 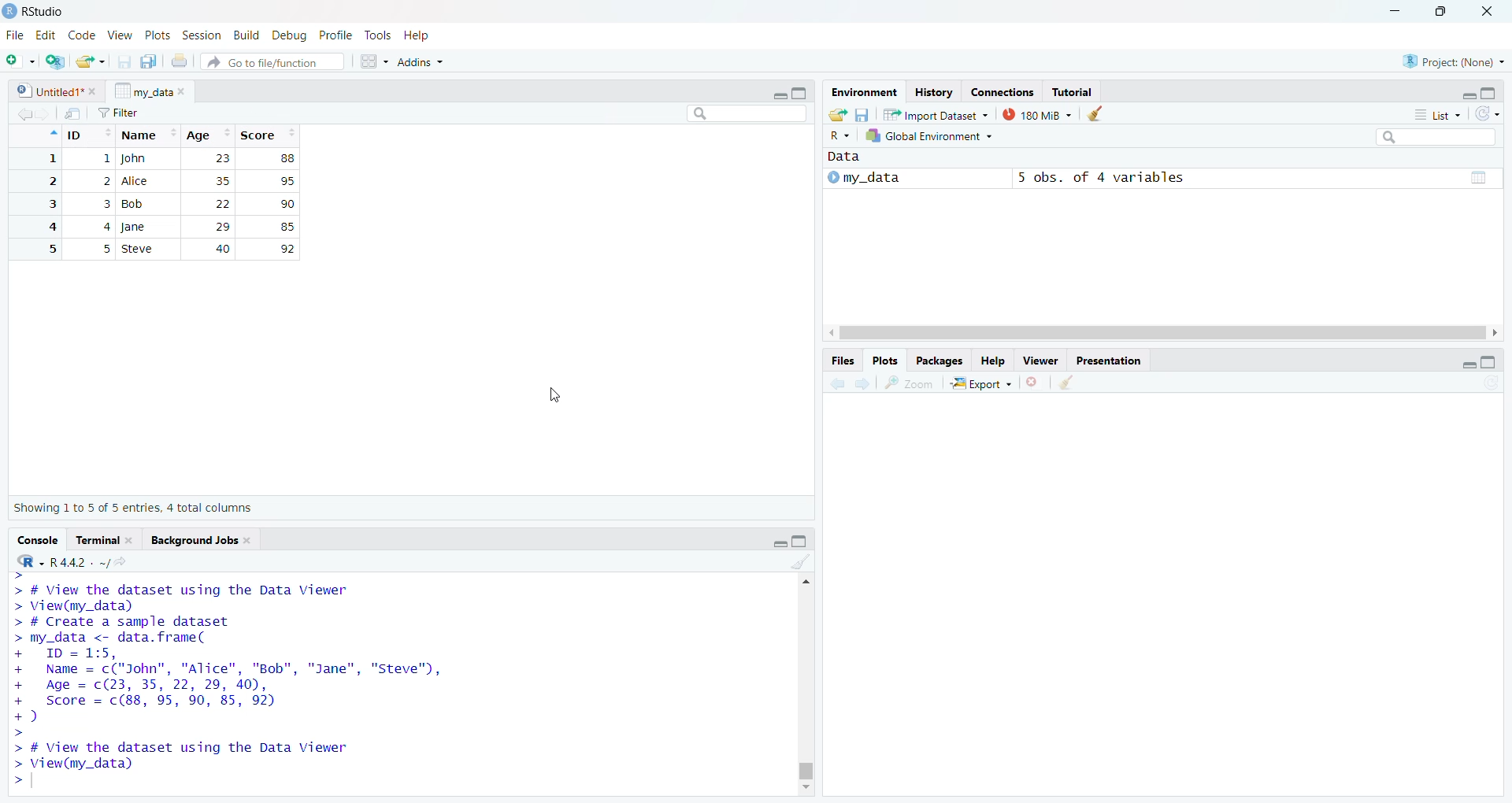 What do you see at coordinates (122, 35) in the screenshot?
I see `View` at bounding box center [122, 35].